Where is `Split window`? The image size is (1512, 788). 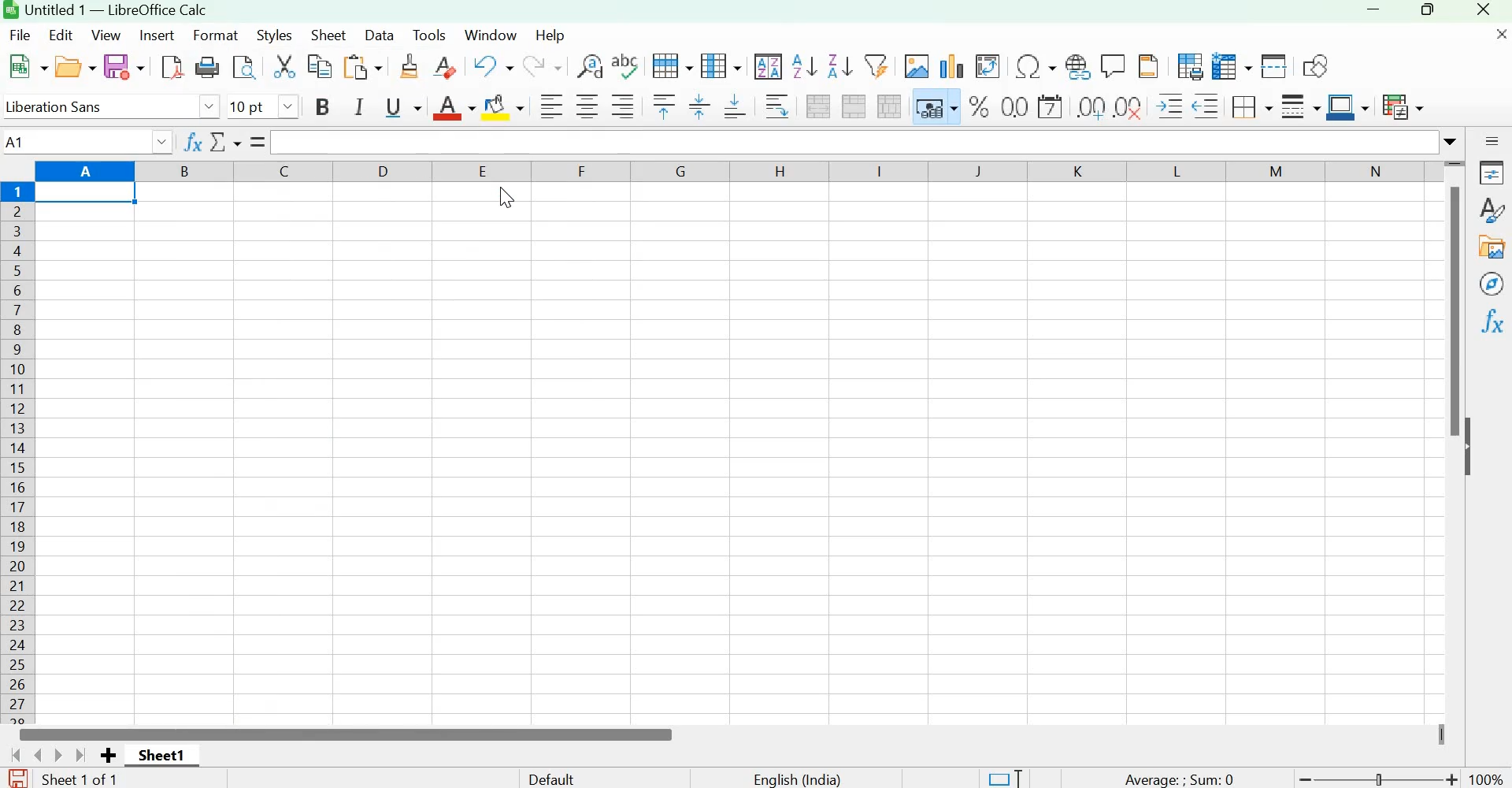
Split window is located at coordinates (1273, 67).